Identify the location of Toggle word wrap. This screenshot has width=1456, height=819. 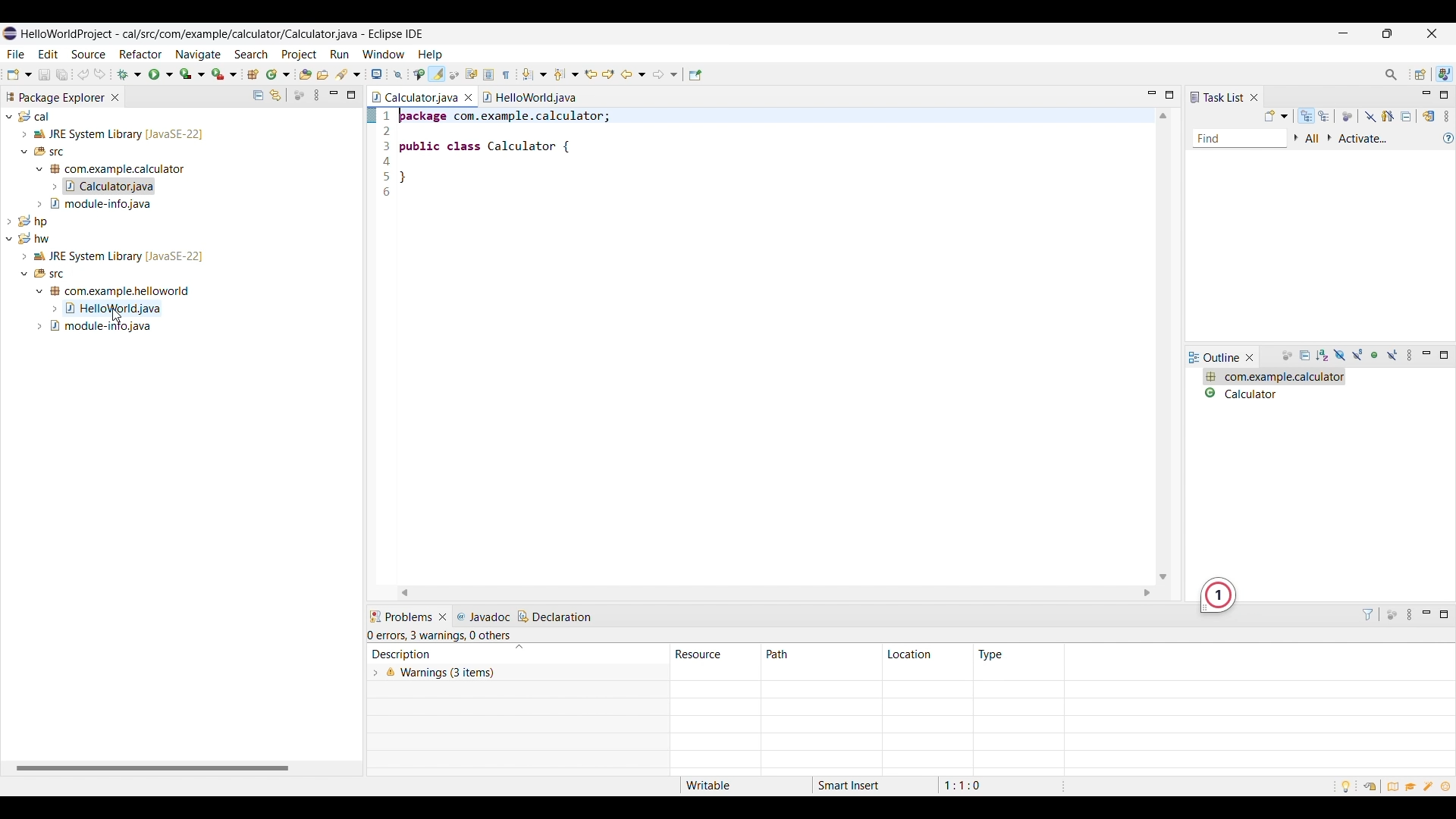
(472, 74).